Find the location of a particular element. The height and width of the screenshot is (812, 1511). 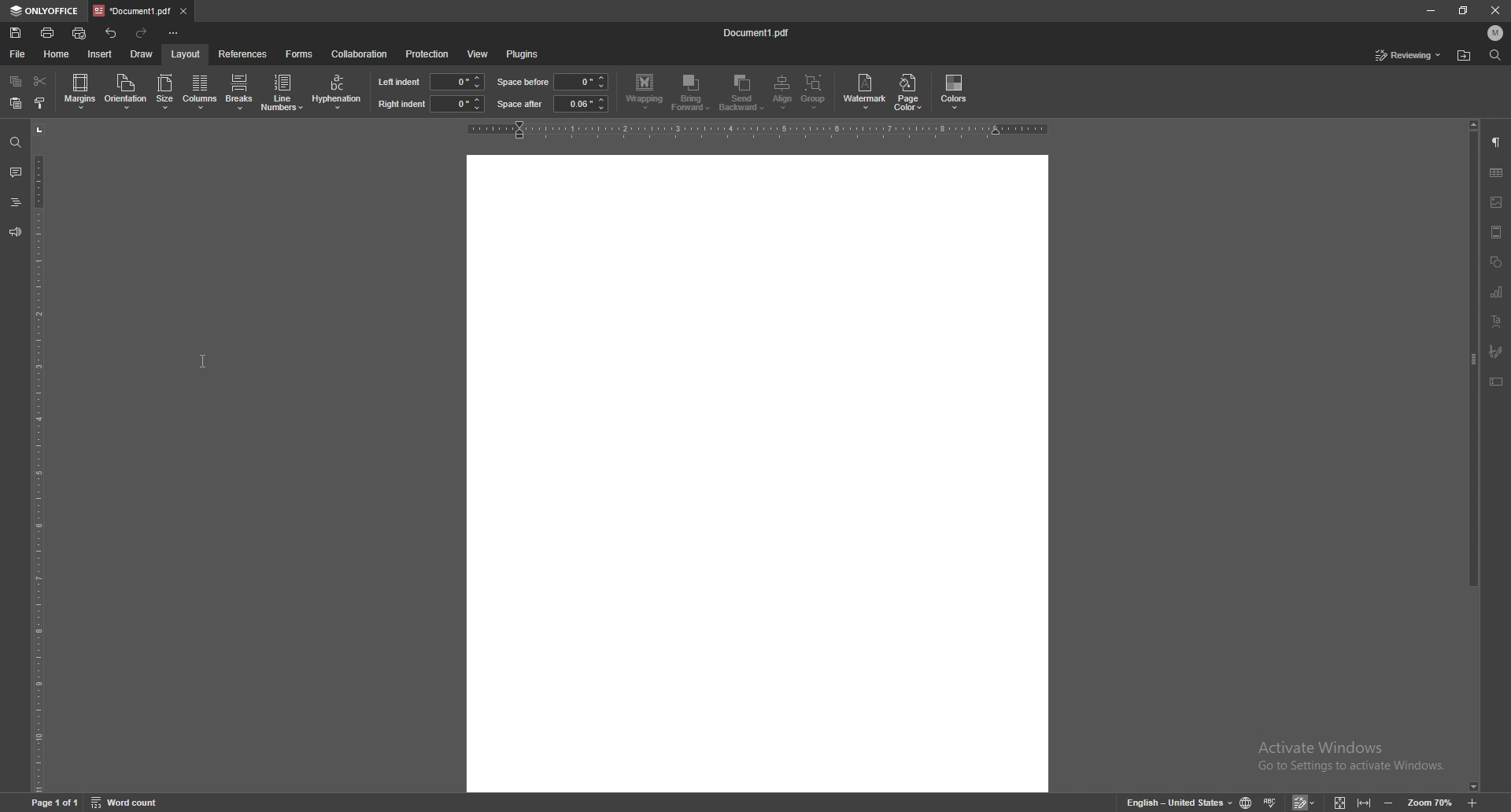

find is located at coordinates (15, 143).